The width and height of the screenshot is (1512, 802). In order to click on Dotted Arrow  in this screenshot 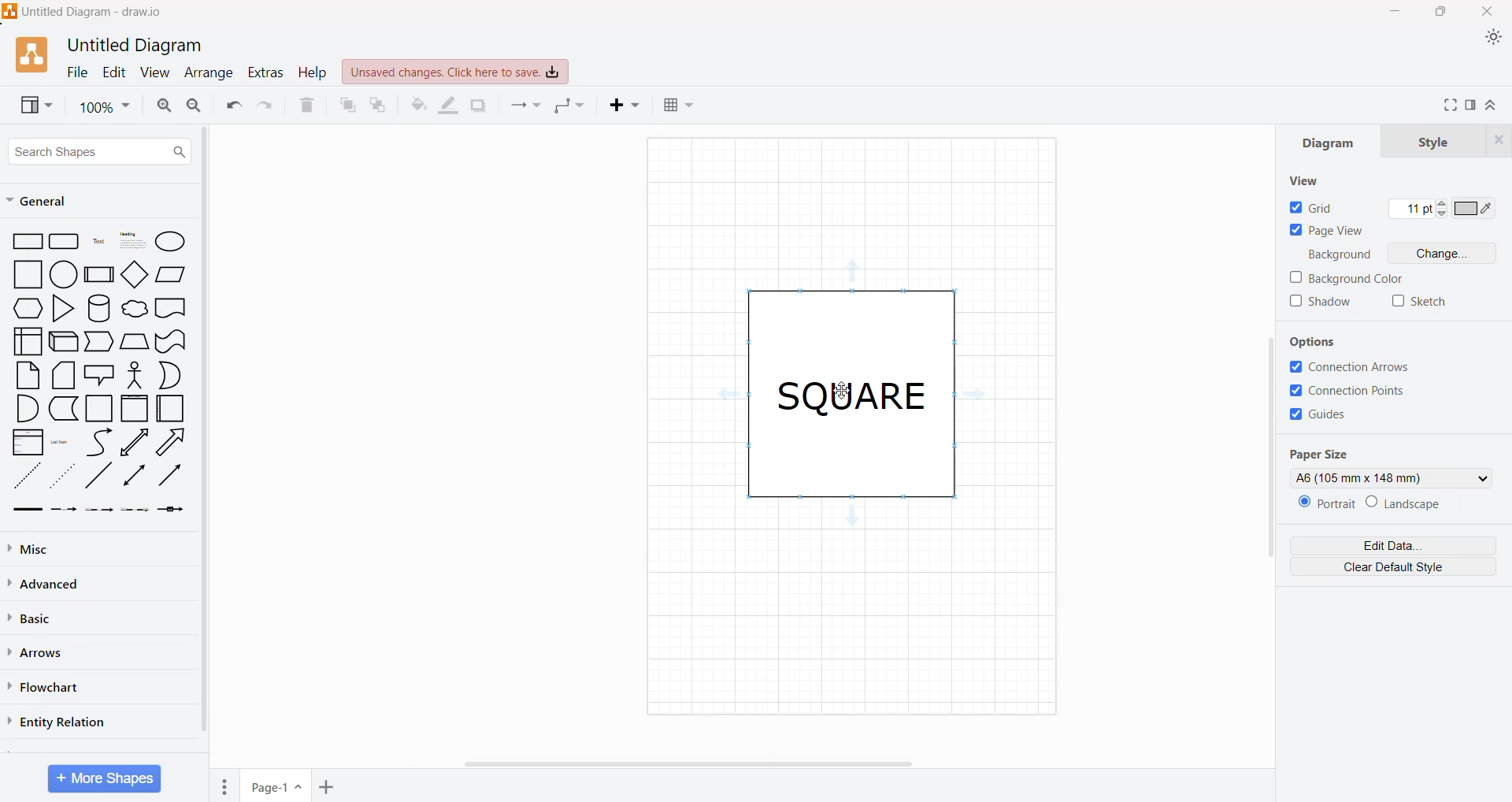, I will do `click(135, 510)`.